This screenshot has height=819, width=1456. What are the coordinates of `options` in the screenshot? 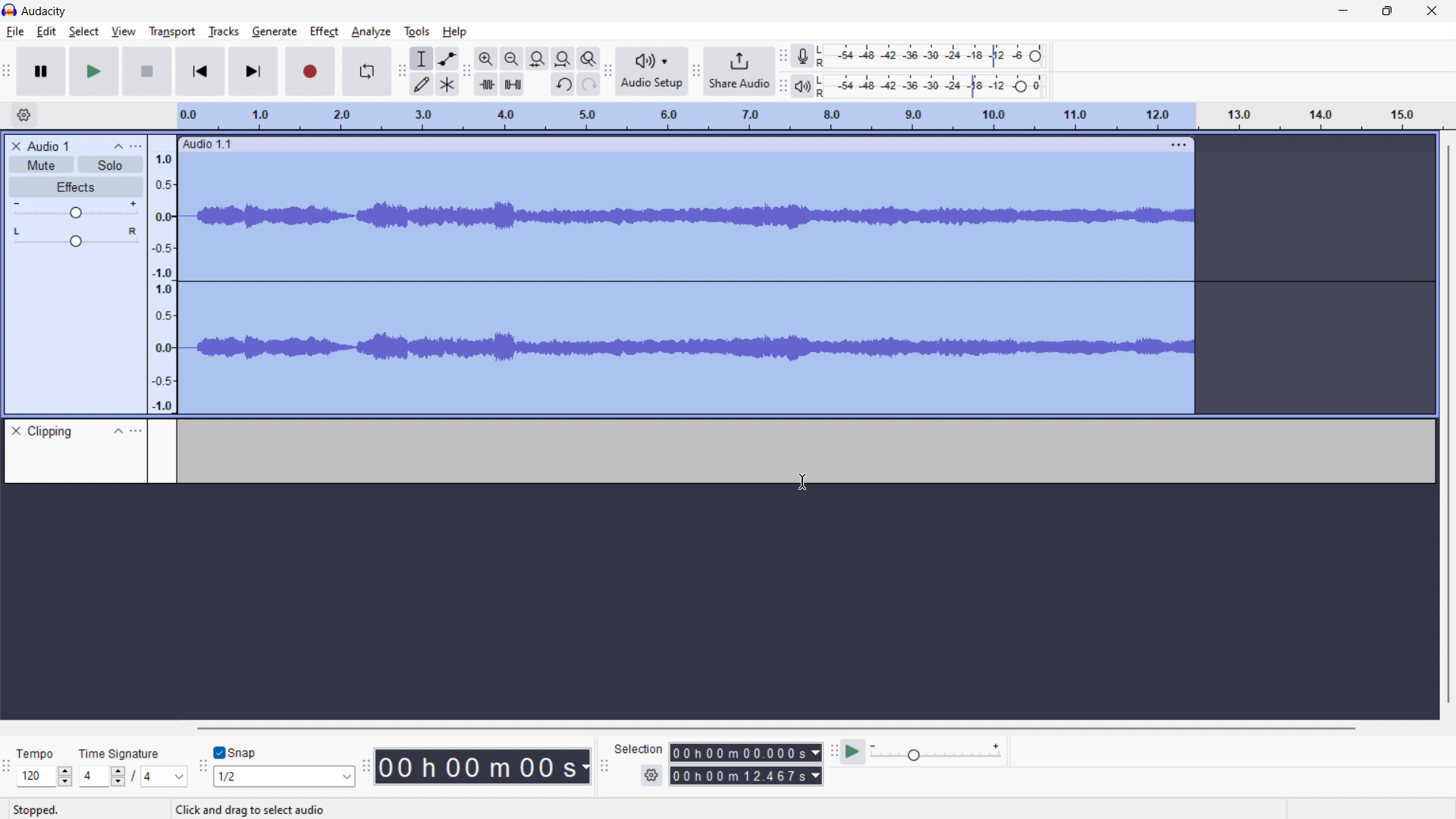 It's located at (136, 146).